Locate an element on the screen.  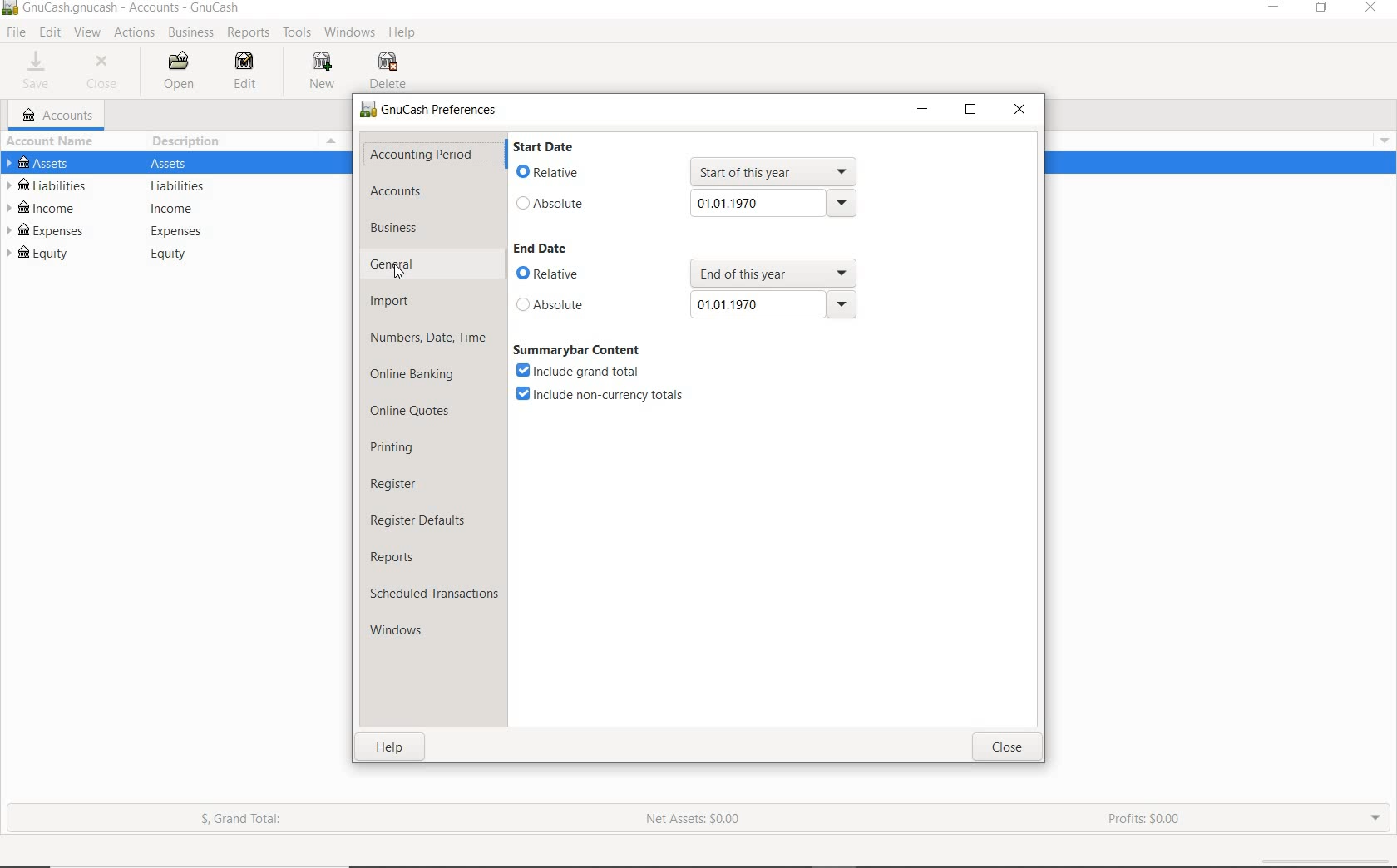
SAVE is located at coordinates (41, 70).